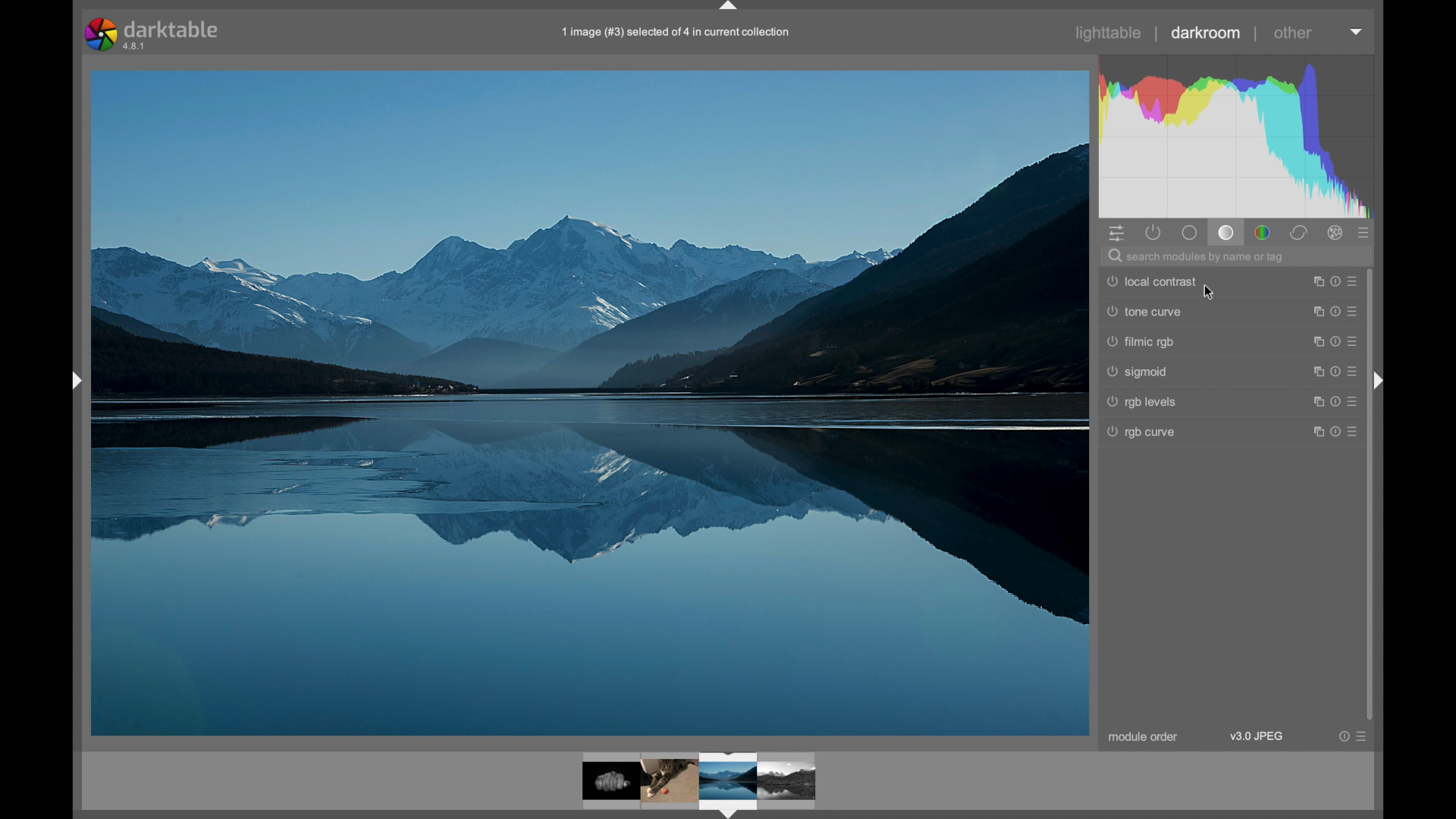 This screenshot has width=1456, height=819. I want to click on more options, so click(1335, 281).